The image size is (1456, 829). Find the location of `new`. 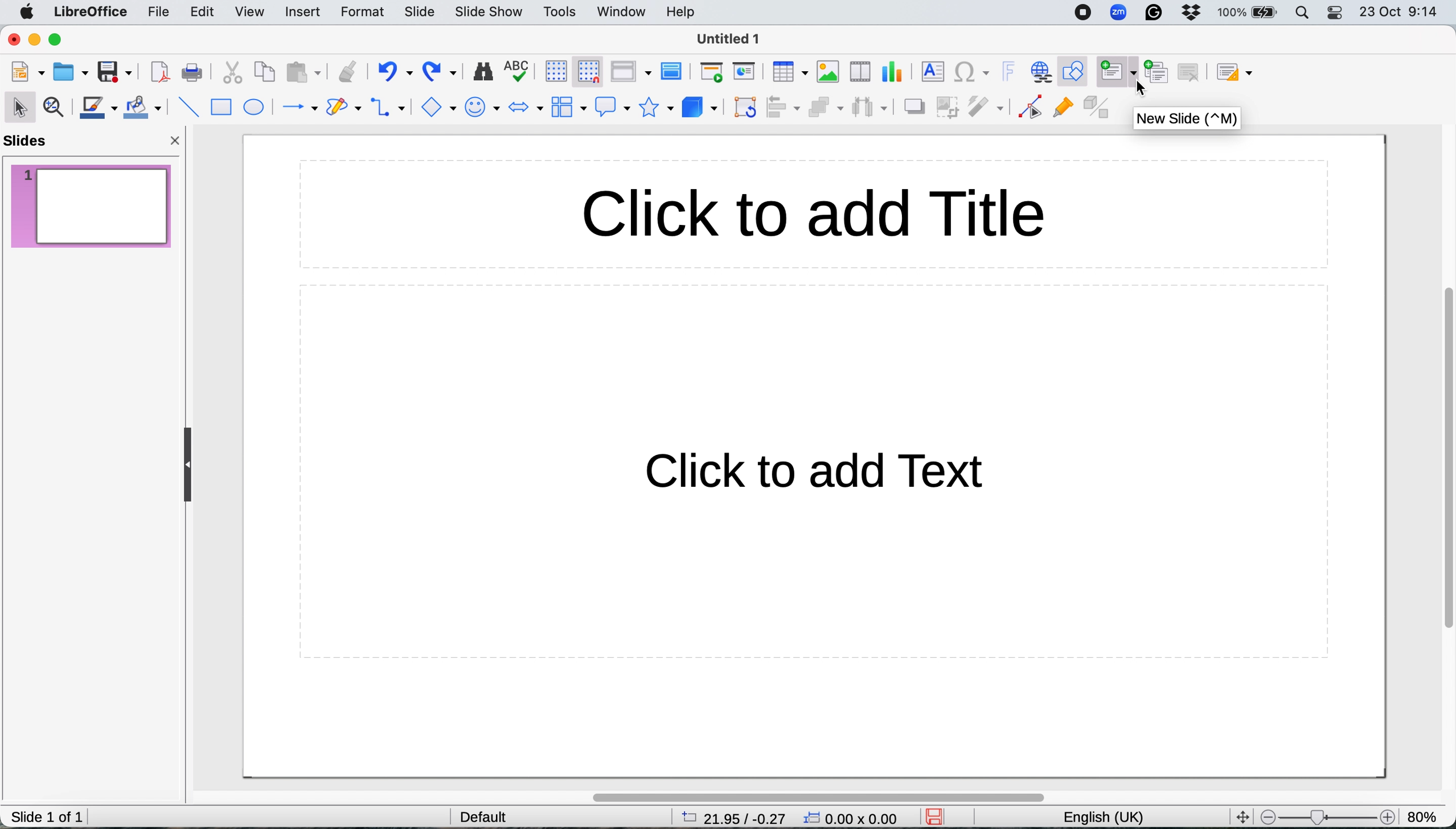

new is located at coordinates (27, 72).